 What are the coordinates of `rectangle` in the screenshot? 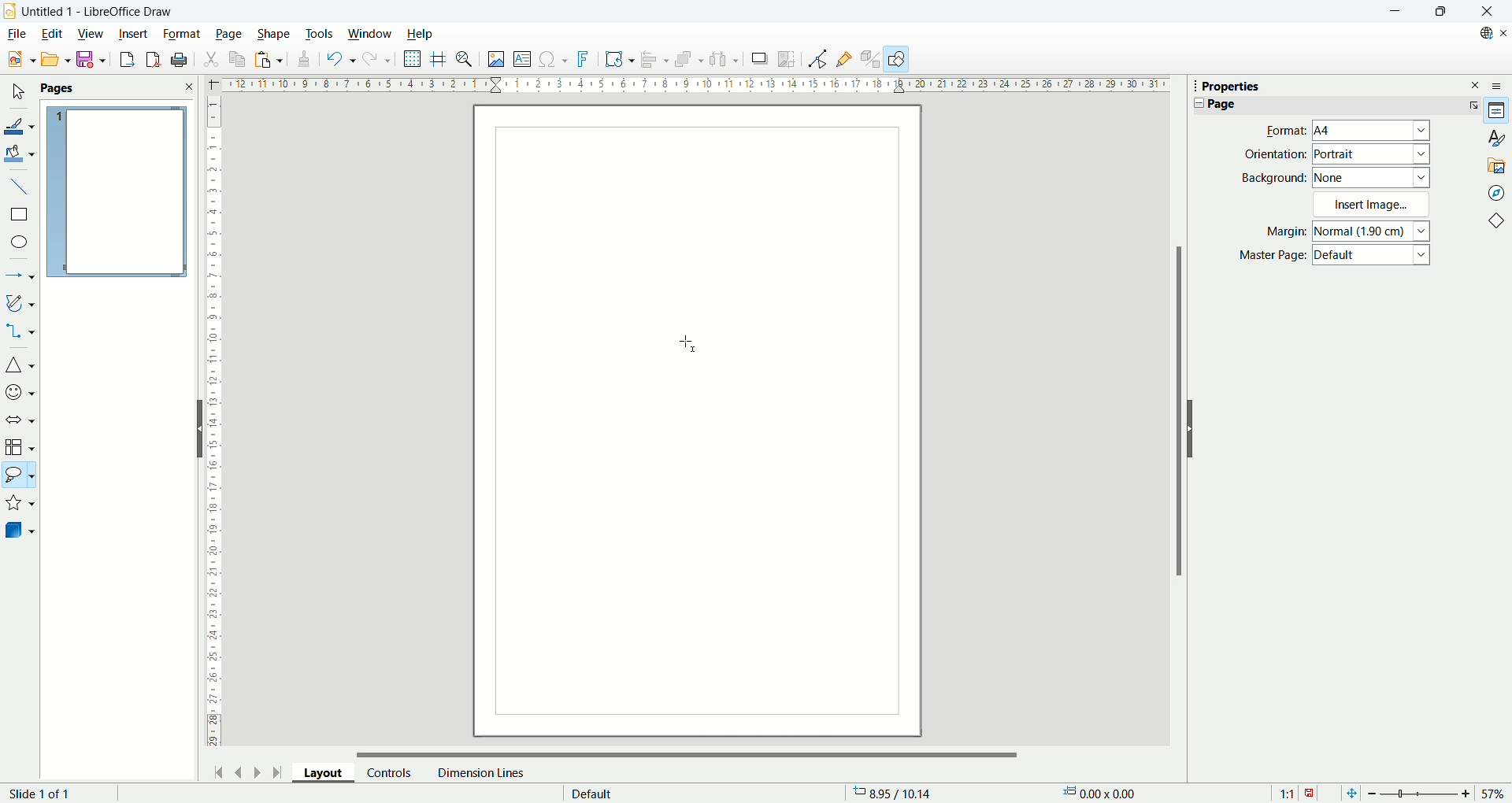 It's located at (18, 215).